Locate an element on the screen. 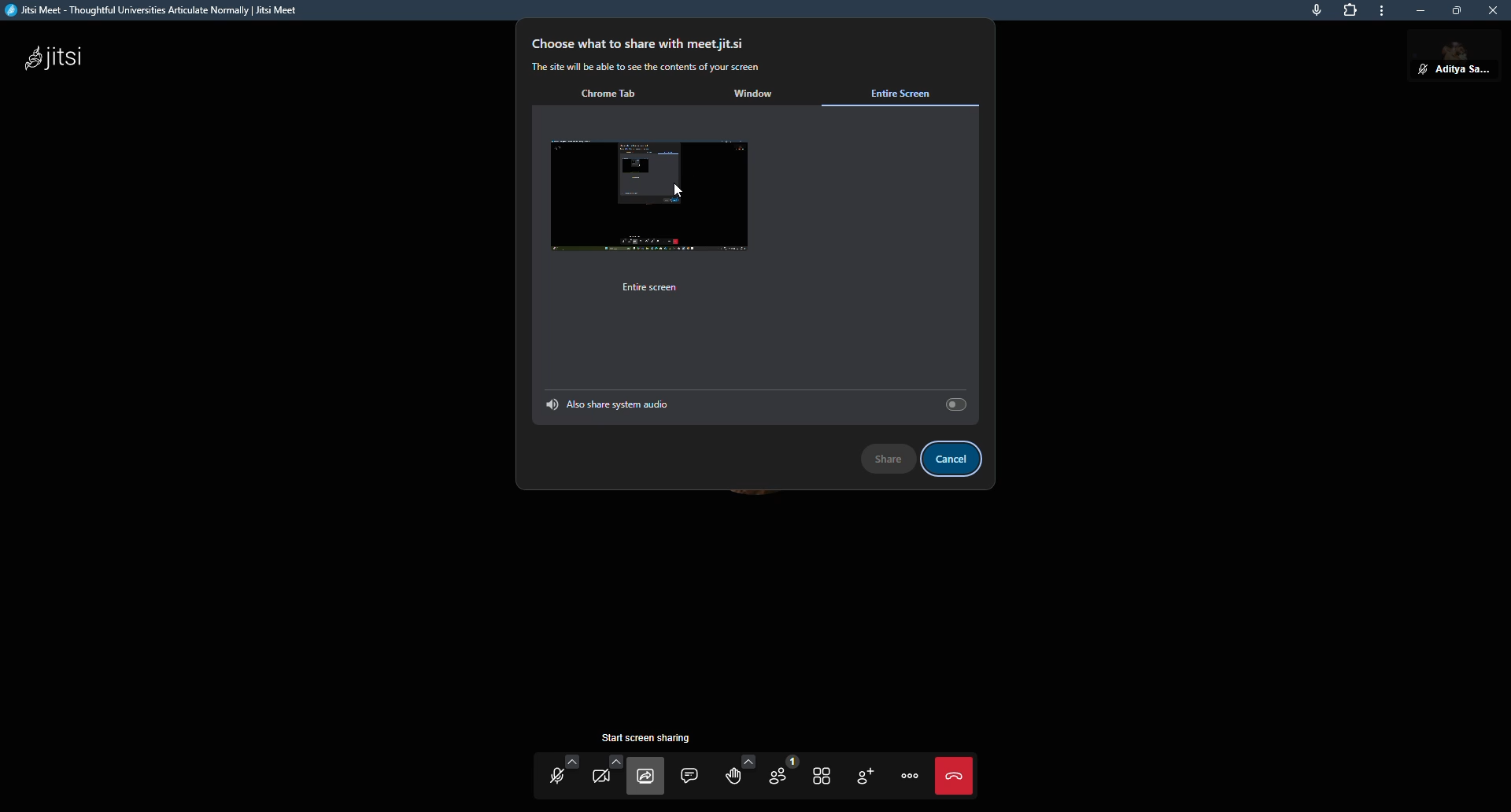 Image resolution: width=1511 pixels, height=812 pixels. invite people is located at coordinates (866, 777).